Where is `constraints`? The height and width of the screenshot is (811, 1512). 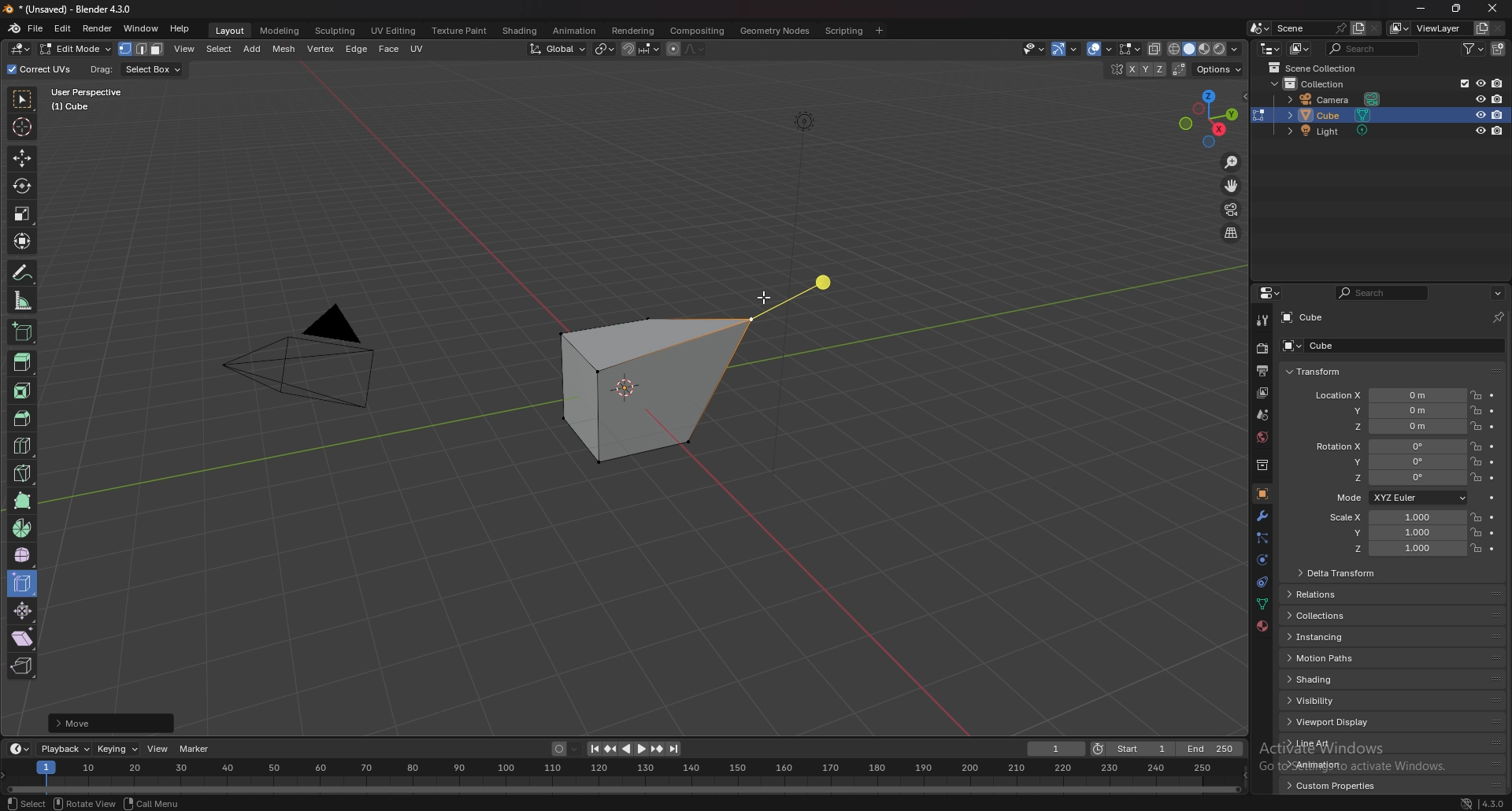
constraints is located at coordinates (1262, 581).